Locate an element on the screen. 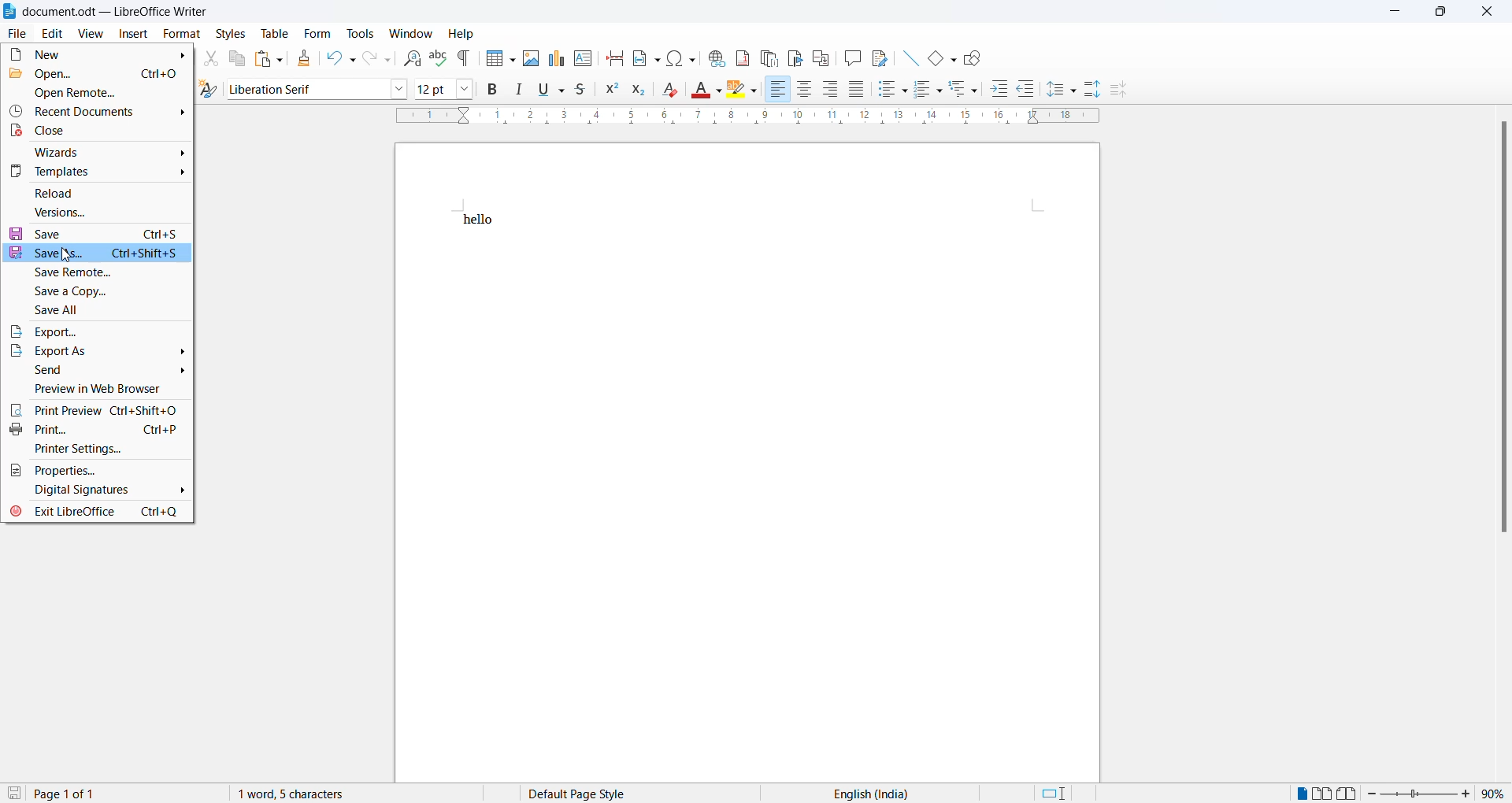 This screenshot has height=803, width=1512. Clear direct formatting is located at coordinates (673, 91).